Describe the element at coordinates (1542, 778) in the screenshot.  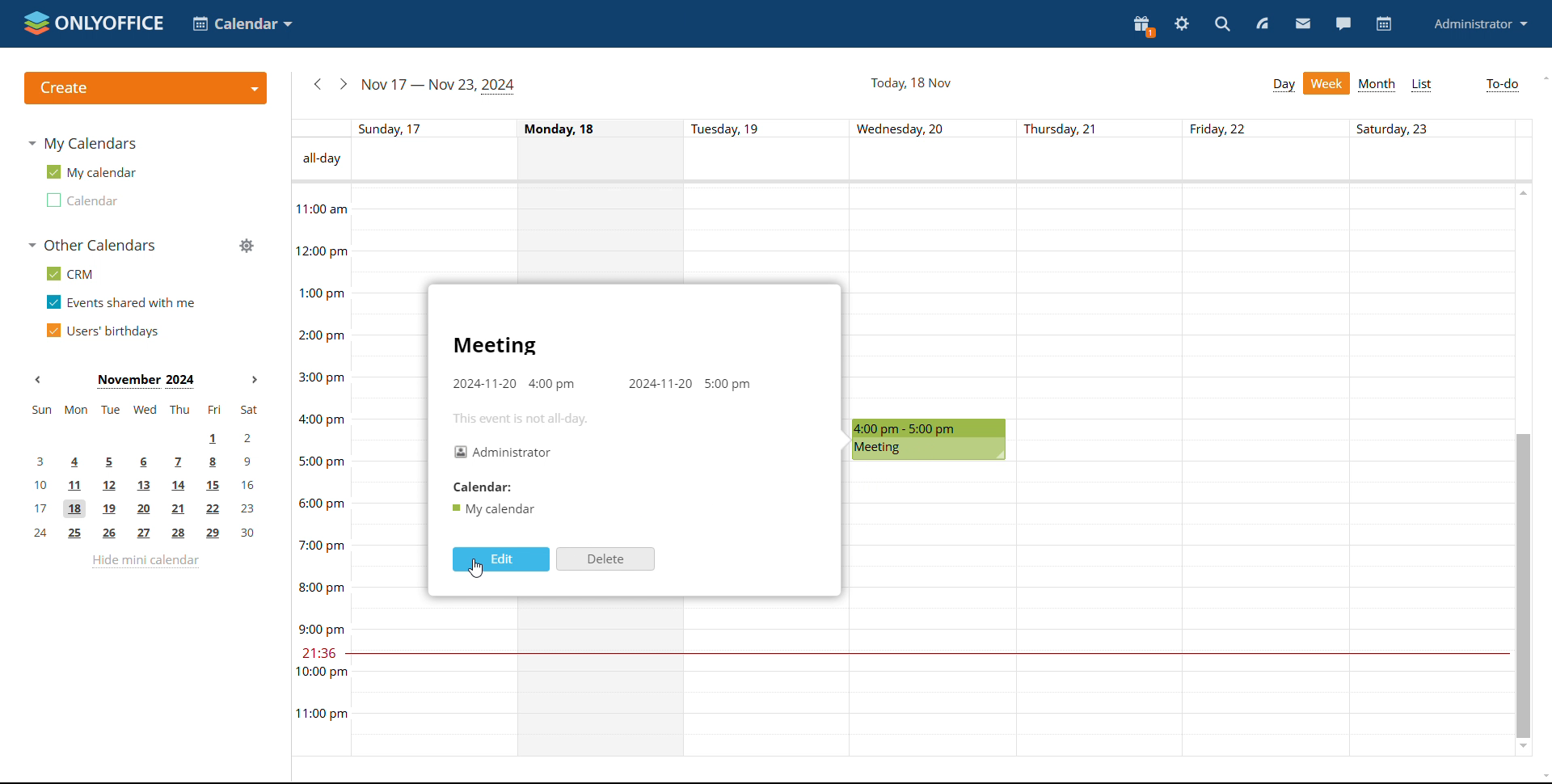
I see `scroll down` at that location.